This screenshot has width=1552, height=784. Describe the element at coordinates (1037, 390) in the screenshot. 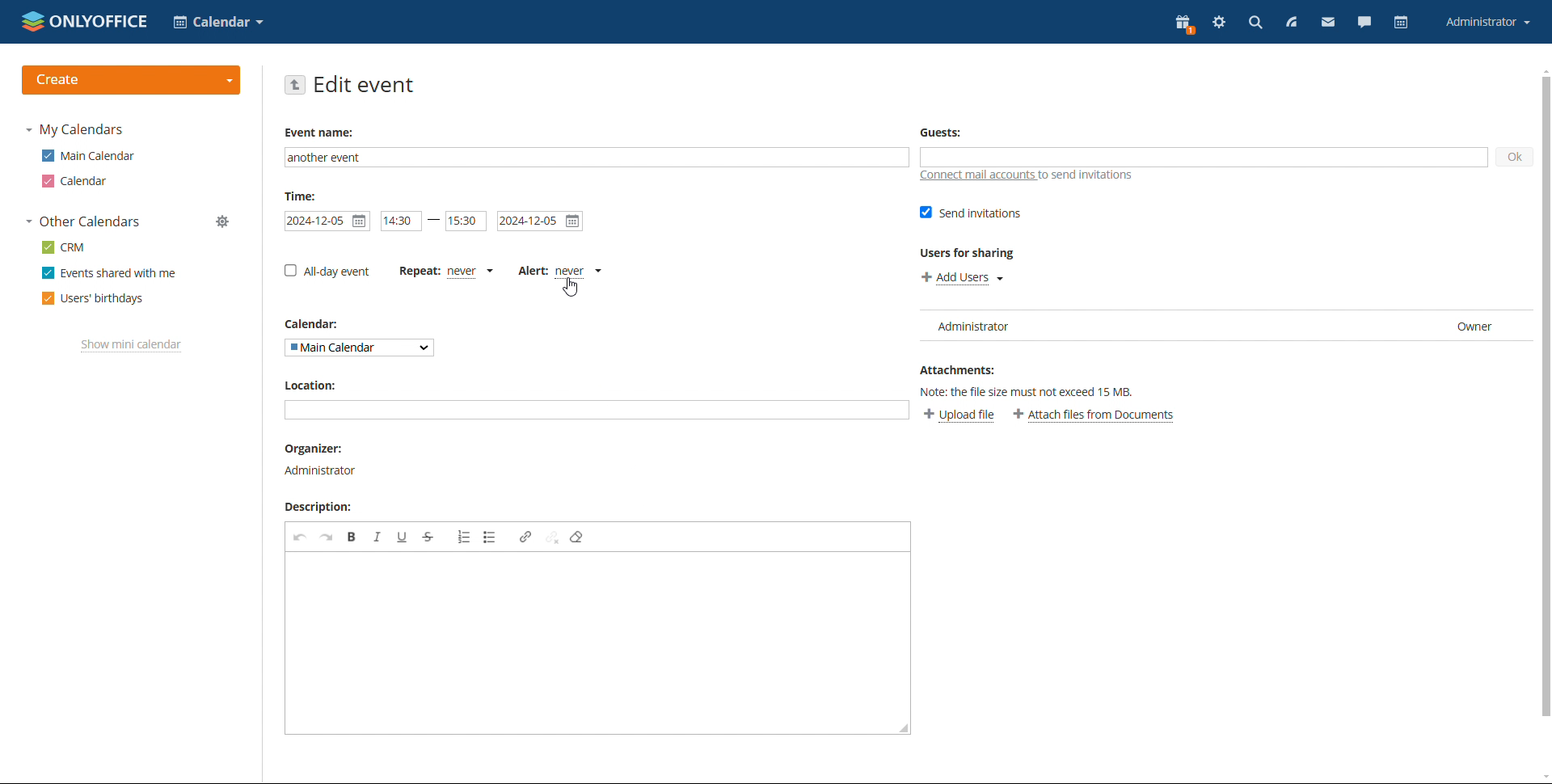

I see `Note: the file size must not exceed 15 MB.` at that location.